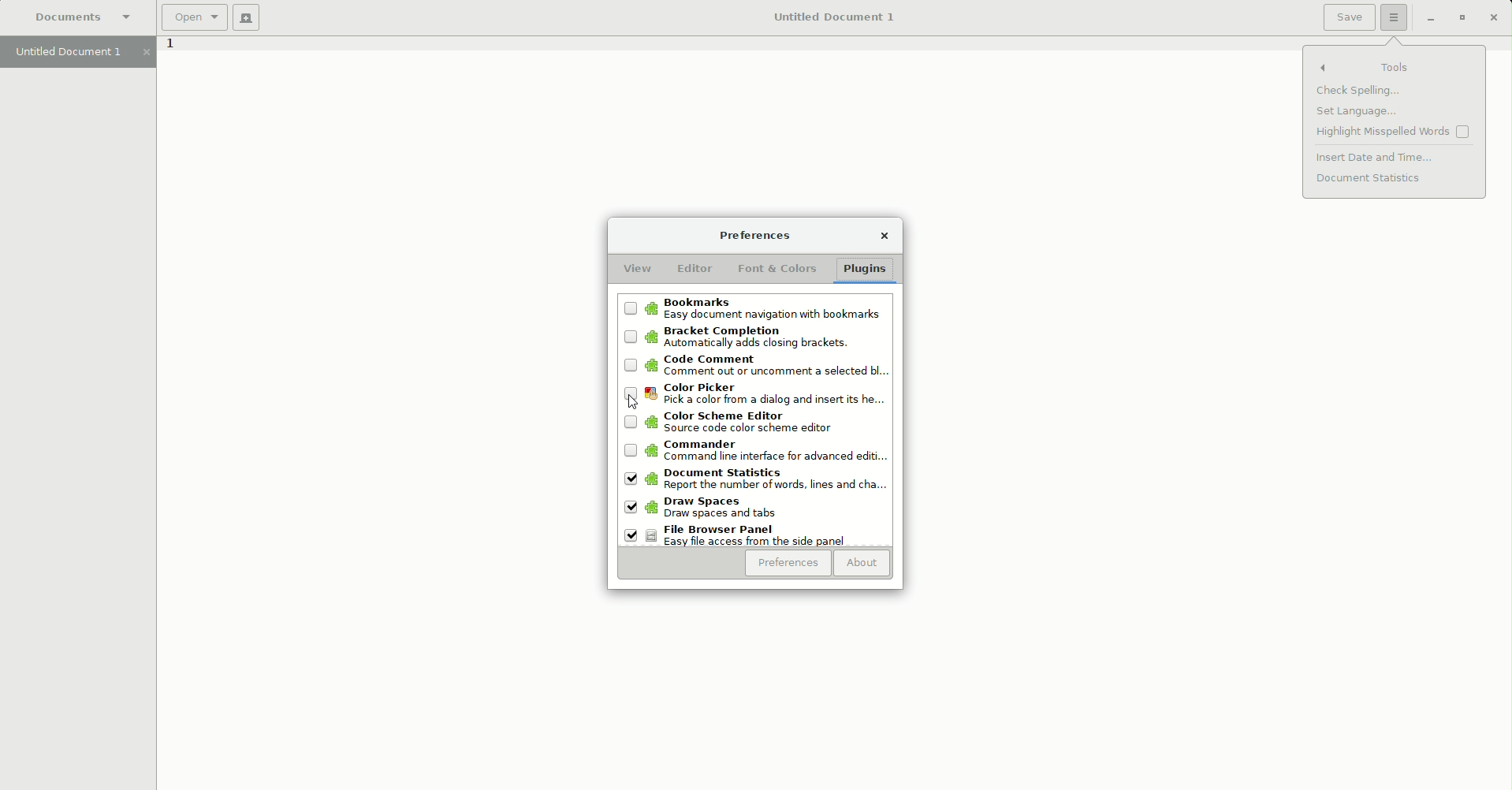 The width and height of the screenshot is (1512, 790). What do you see at coordinates (863, 565) in the screenshot?
I see `About` at bounding box center [863, 565].